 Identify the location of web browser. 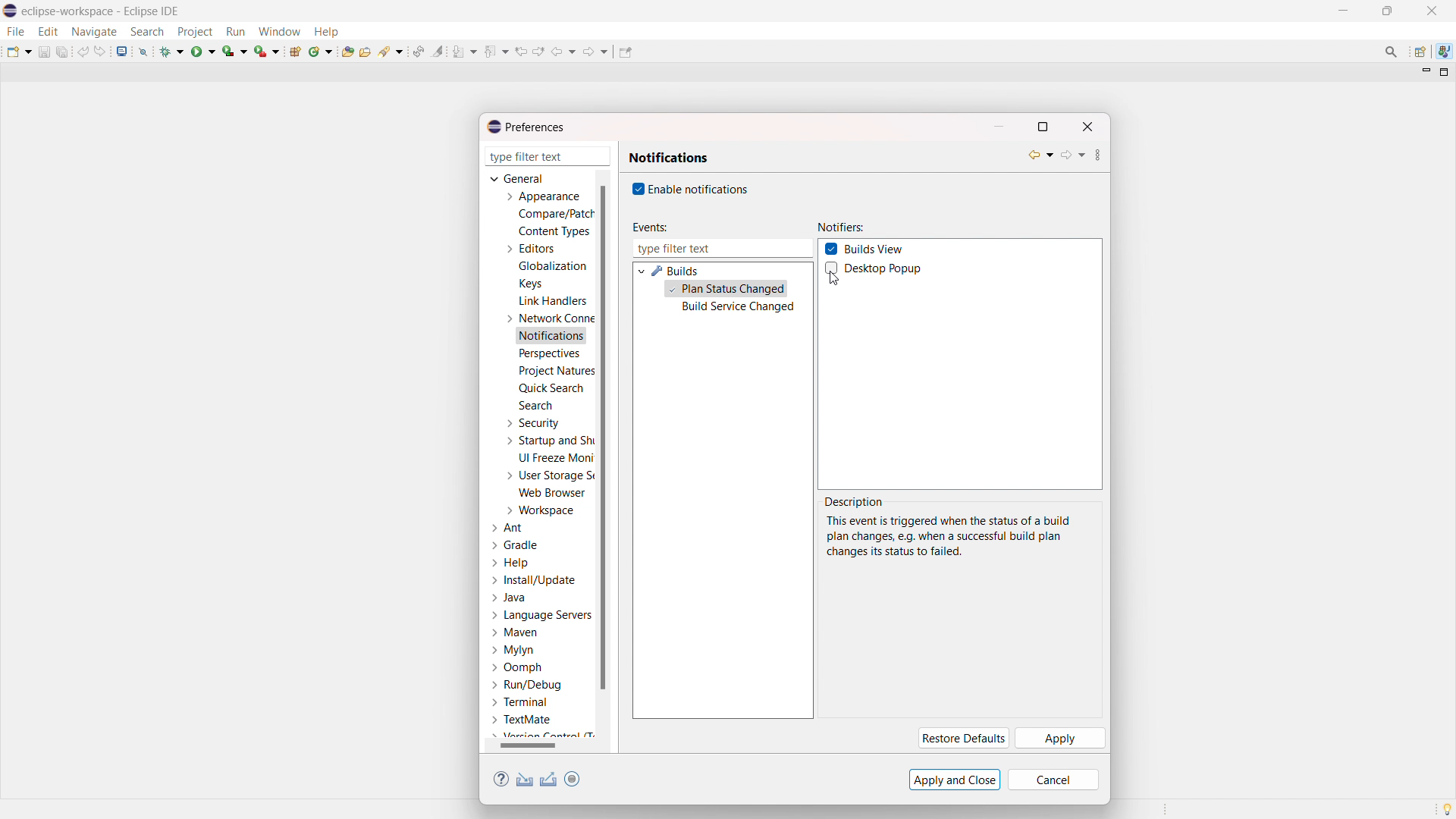
(553, 492).